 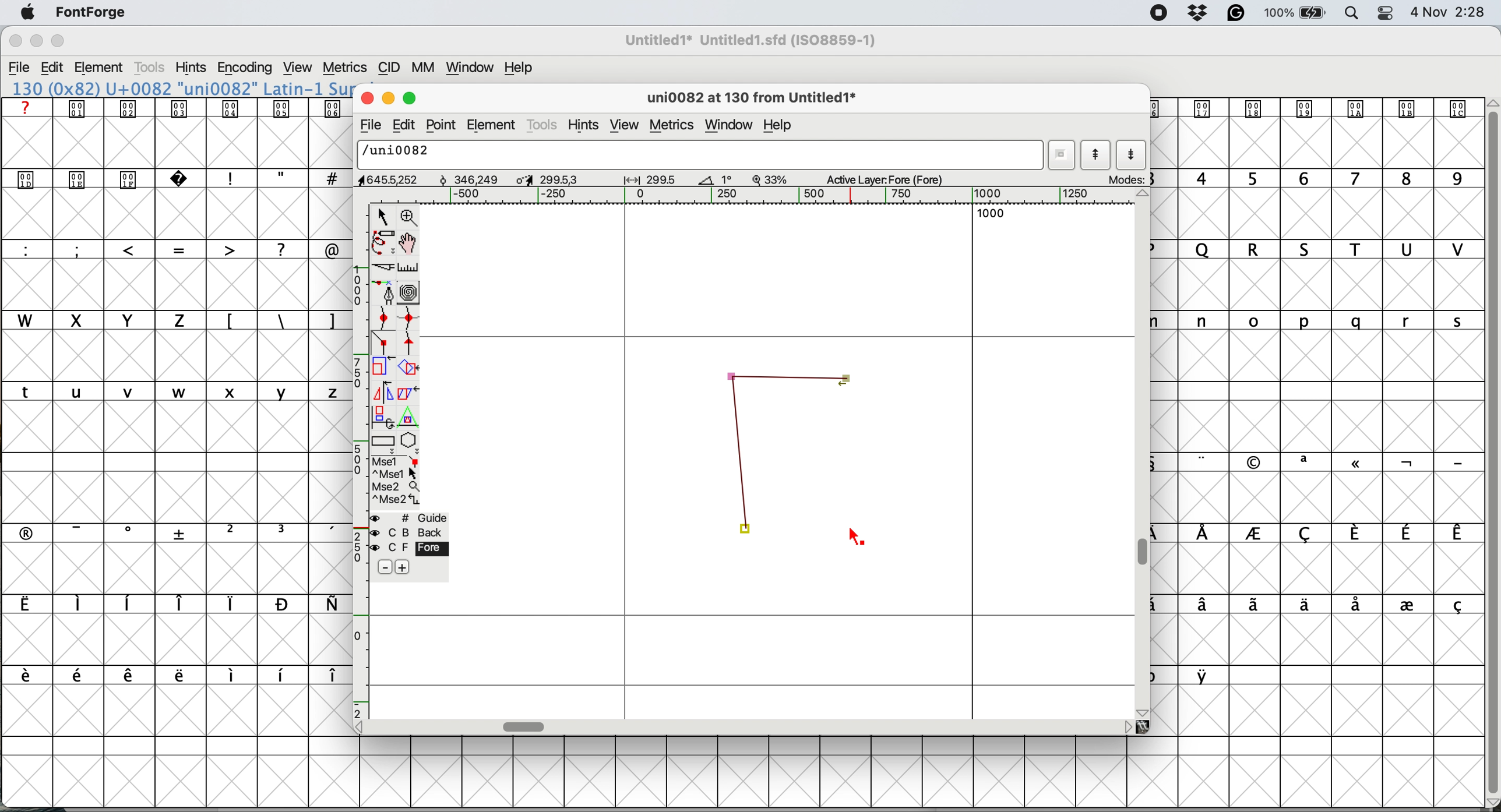 What do you see at coordinates (52, 68) in the screenshot?
I see `edit` at bounding box center [52, 68].